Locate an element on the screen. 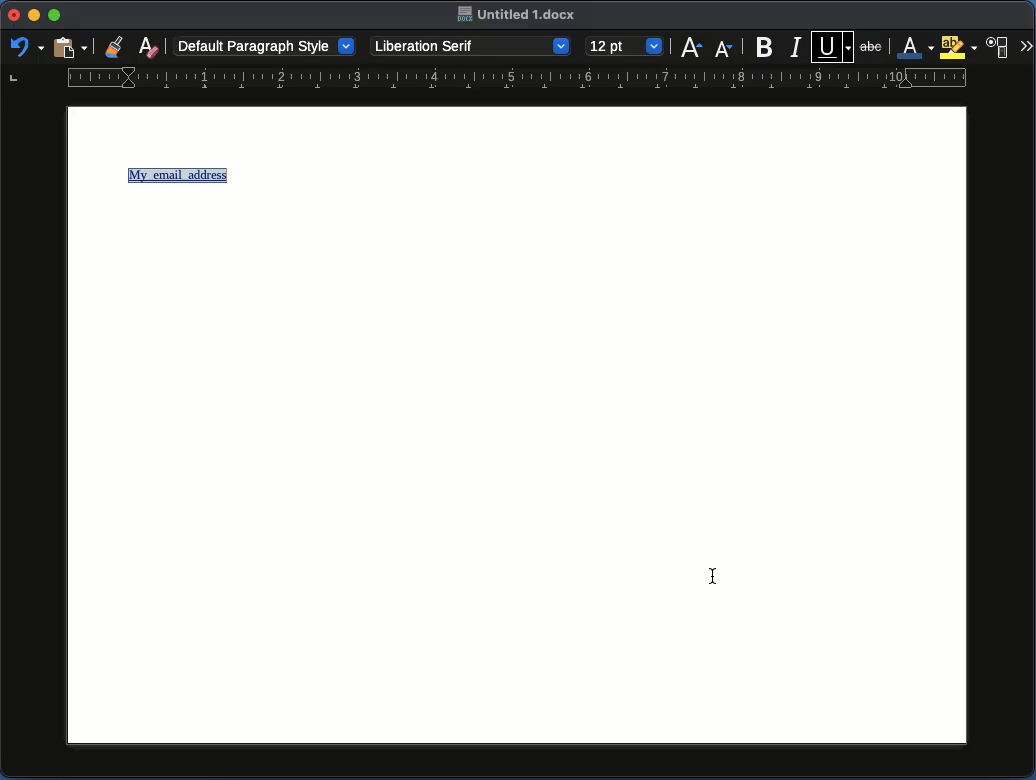 The height and width of the screenshot is (780, 1036). Italics is located at coordinates (796, 46).